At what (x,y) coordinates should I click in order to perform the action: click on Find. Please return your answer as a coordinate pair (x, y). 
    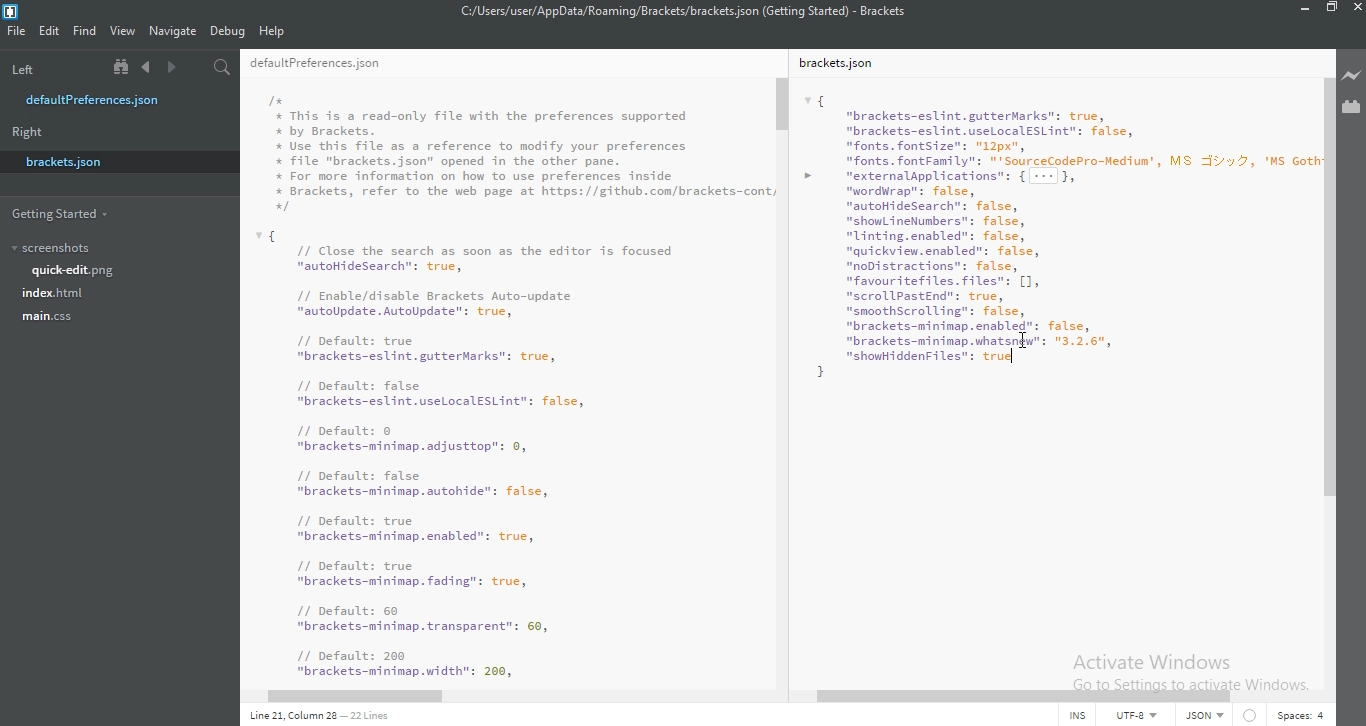
    Looking at the image, I should click on (85, 30).